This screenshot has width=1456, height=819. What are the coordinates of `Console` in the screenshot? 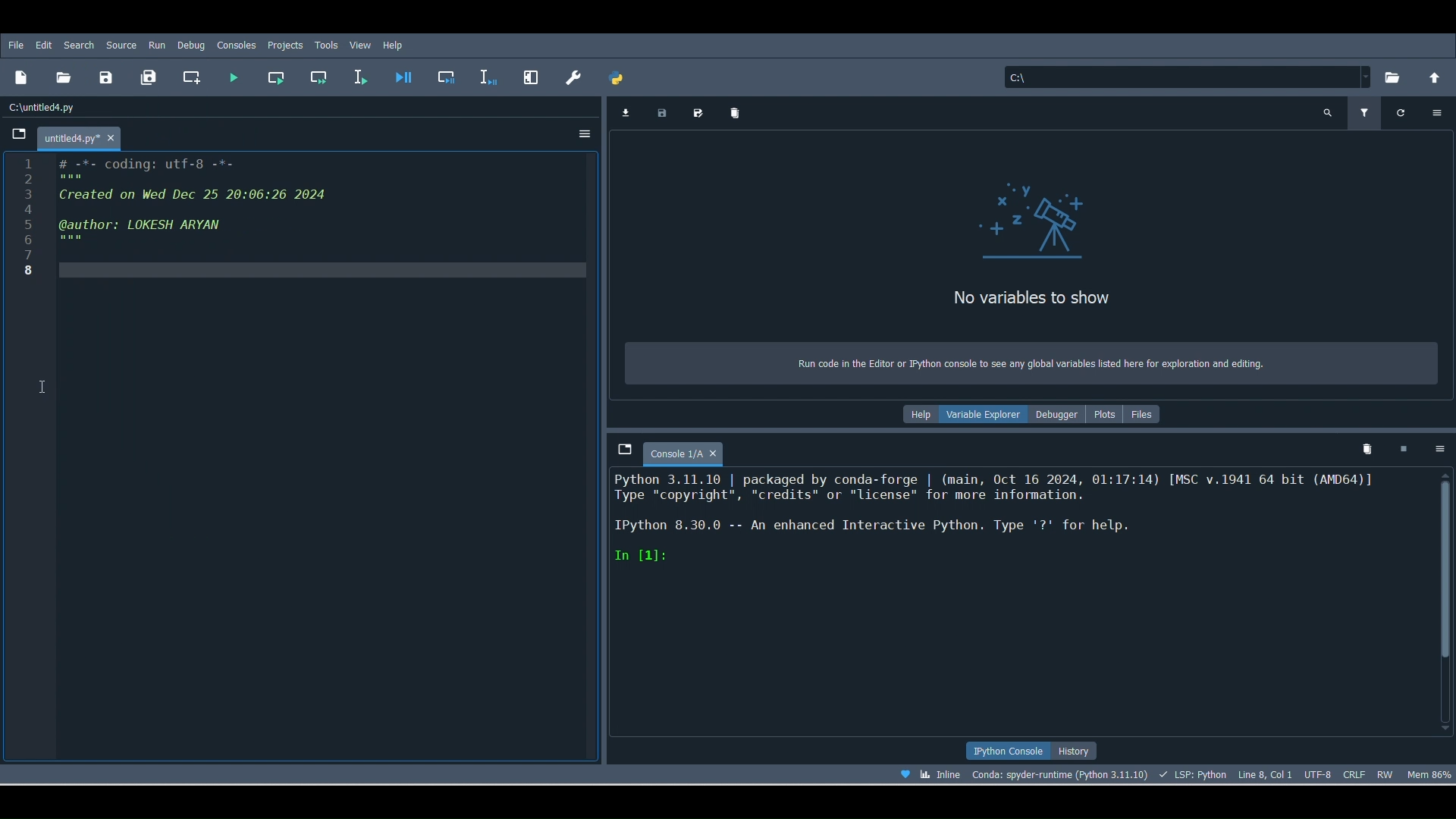 It's located at (1015, 605).